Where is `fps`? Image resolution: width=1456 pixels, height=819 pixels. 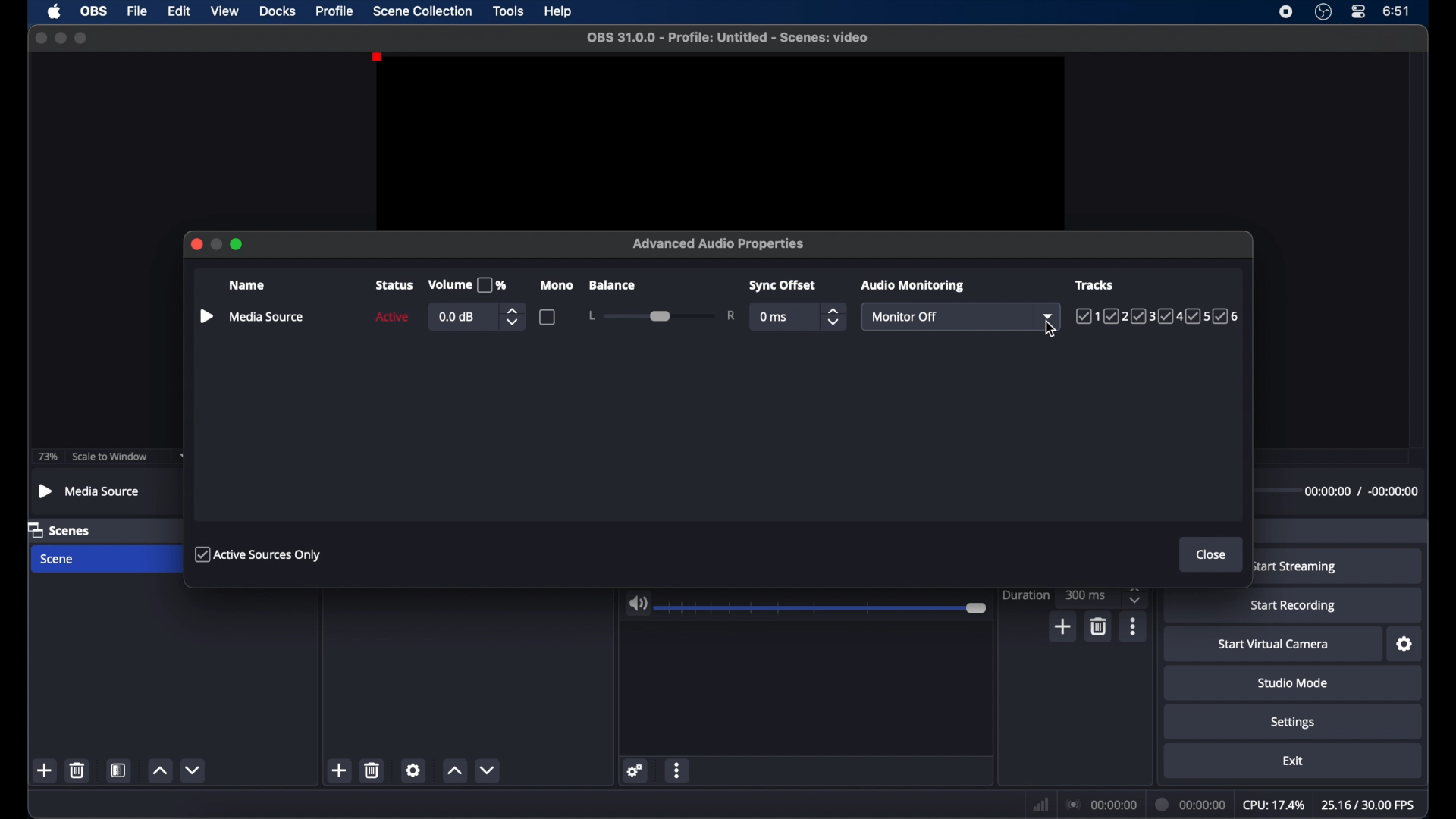 fps is located at coordinates (1369, 805).